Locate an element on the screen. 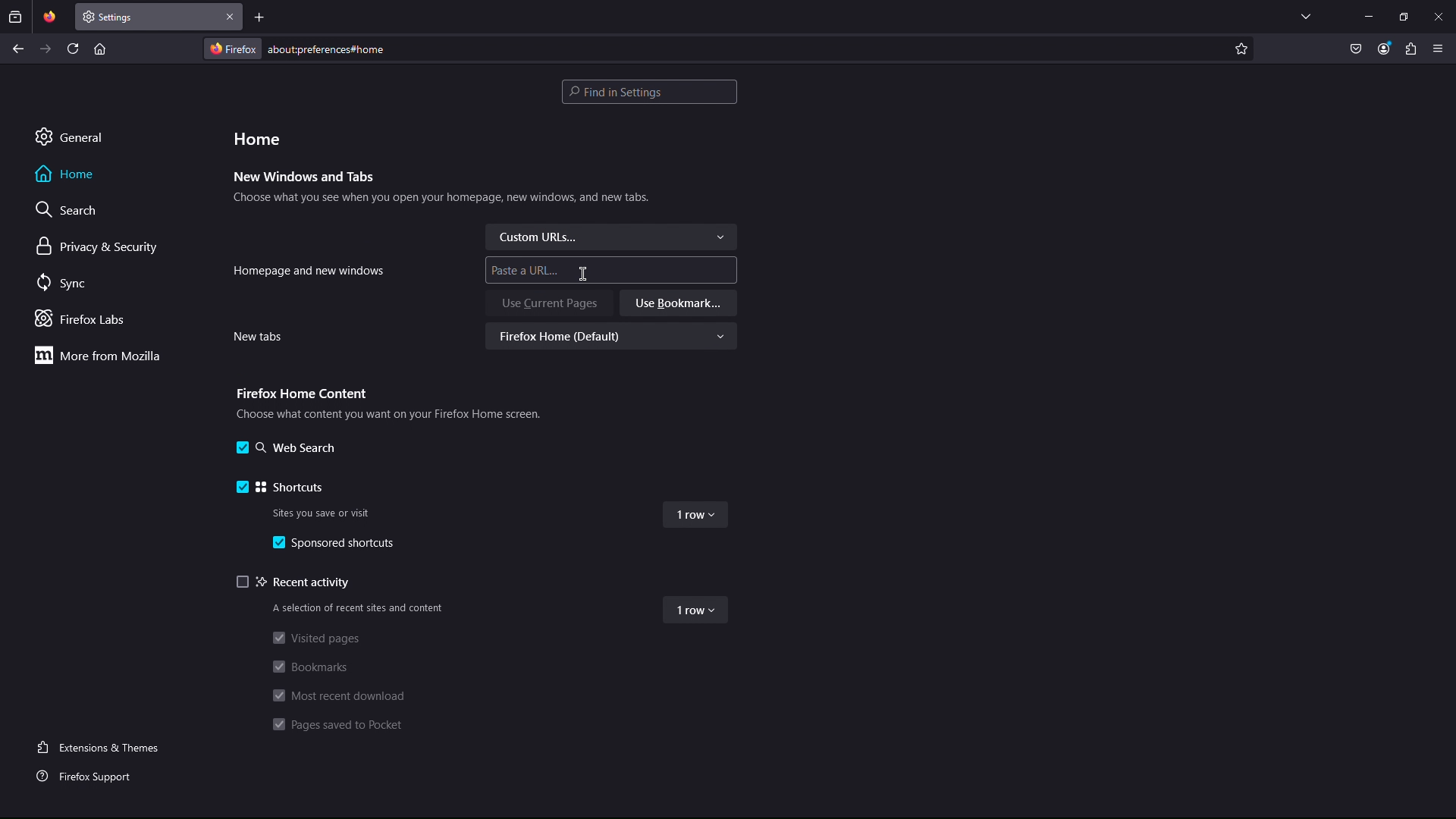 The width and height of the screenshot is (1456, 819). Add to favorite is located at coordinates (1241, 49).